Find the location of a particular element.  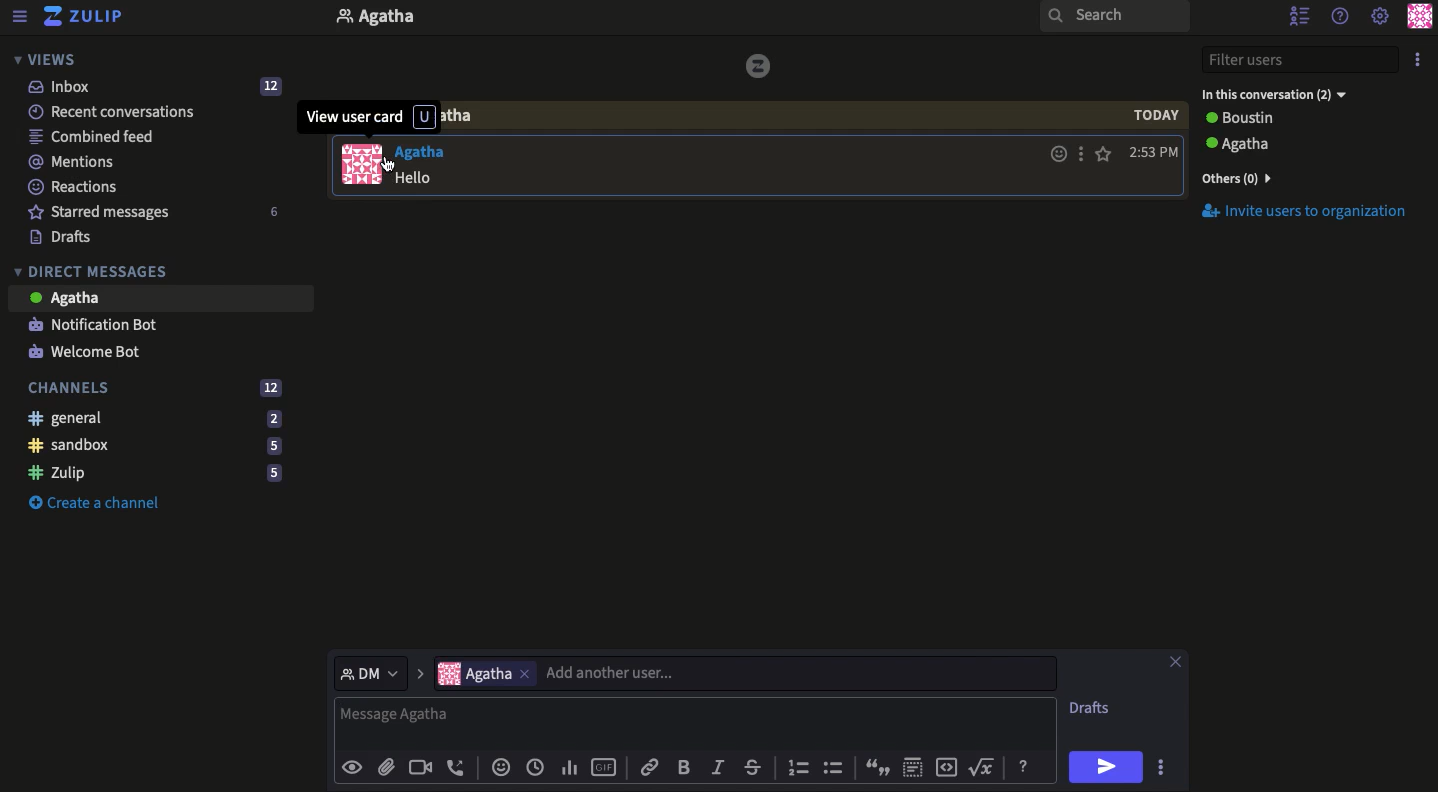

Text box is located at coordinates (696, 722).